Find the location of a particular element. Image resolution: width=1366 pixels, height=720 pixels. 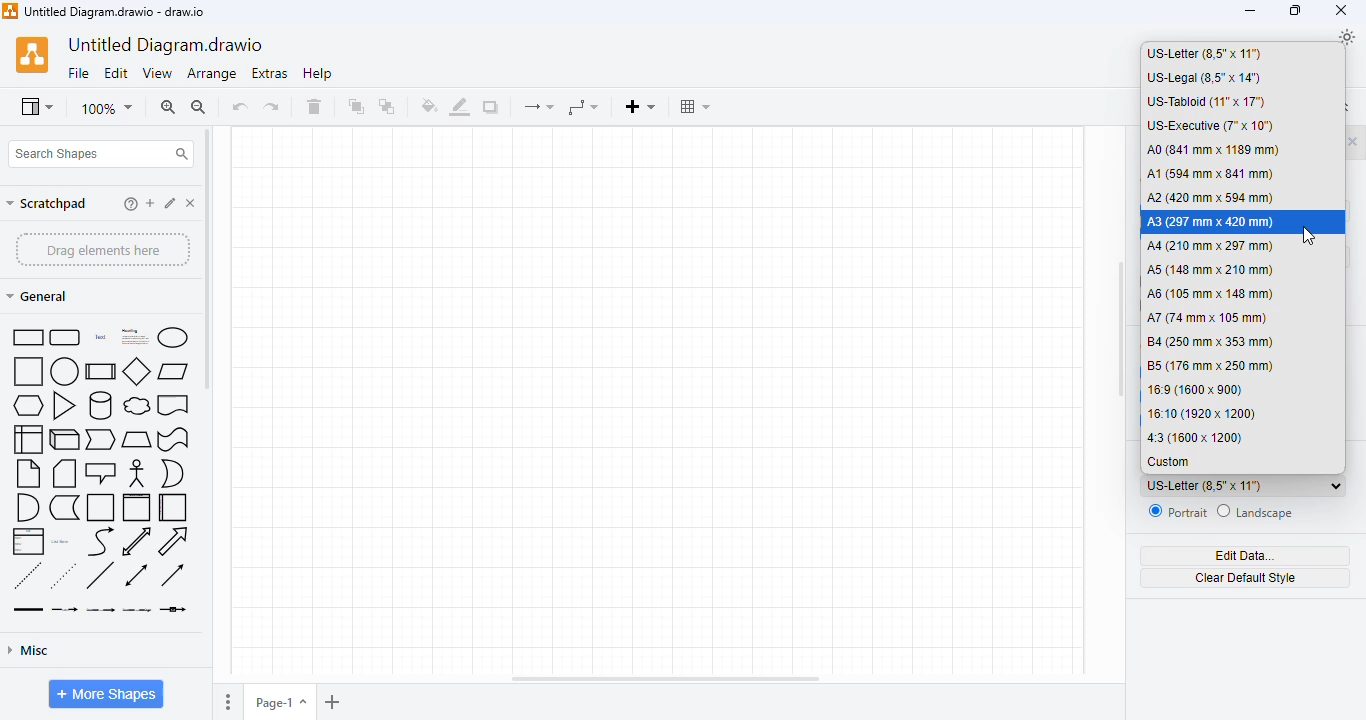

vertical container is located at coordinates (137, 508).